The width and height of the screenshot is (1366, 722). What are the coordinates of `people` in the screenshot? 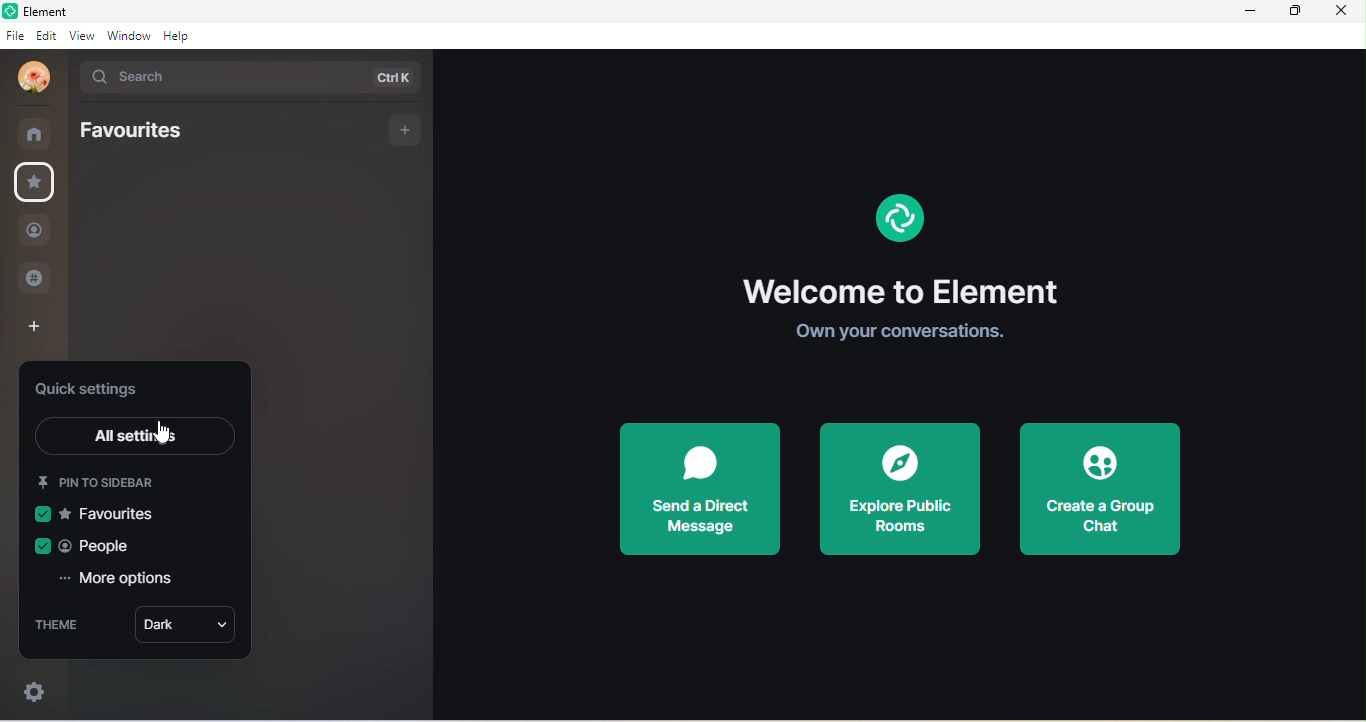 It's located at (38, 228).